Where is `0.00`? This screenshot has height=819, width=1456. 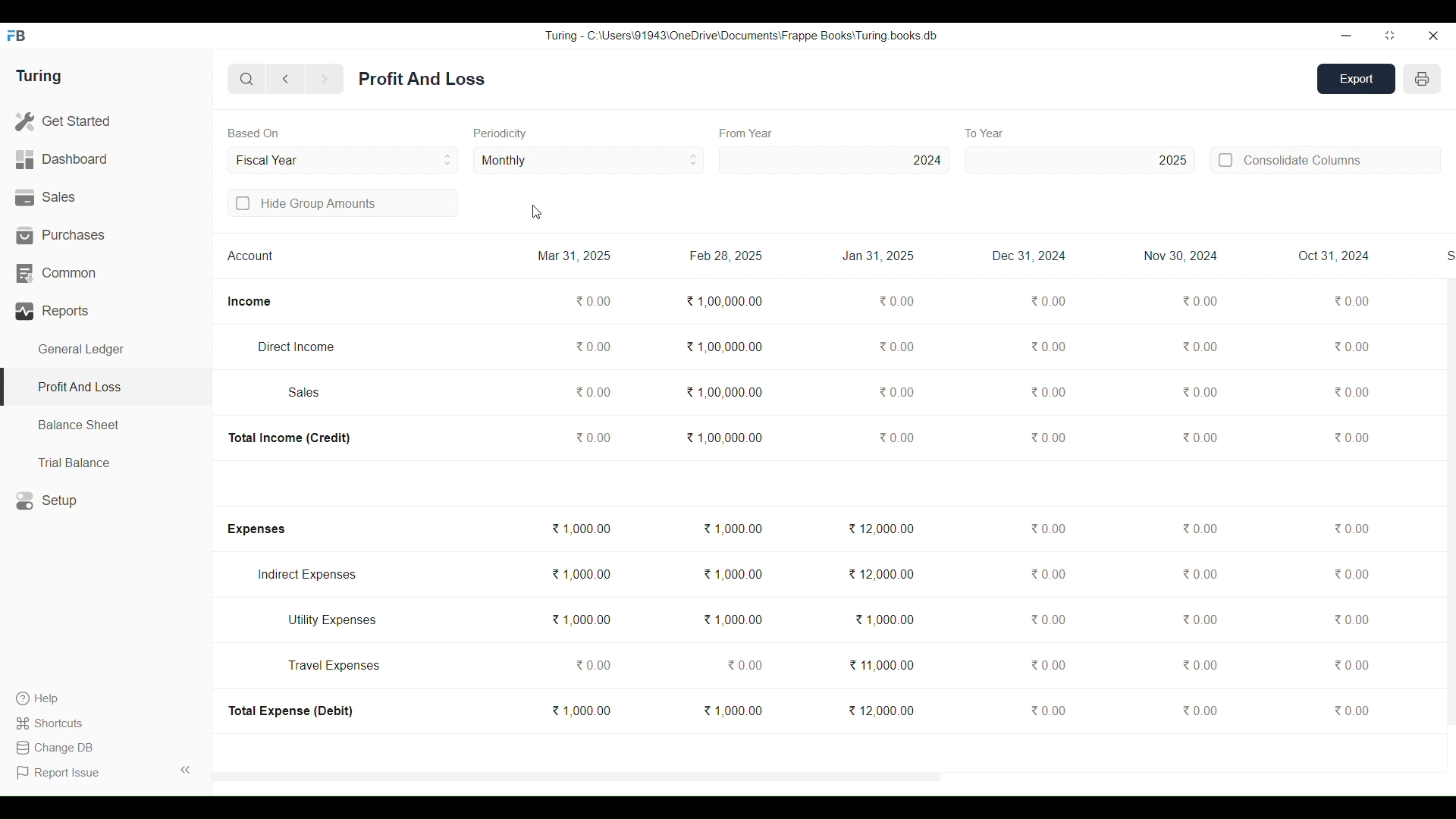 0.00 is located at coordinates (1352, 619).